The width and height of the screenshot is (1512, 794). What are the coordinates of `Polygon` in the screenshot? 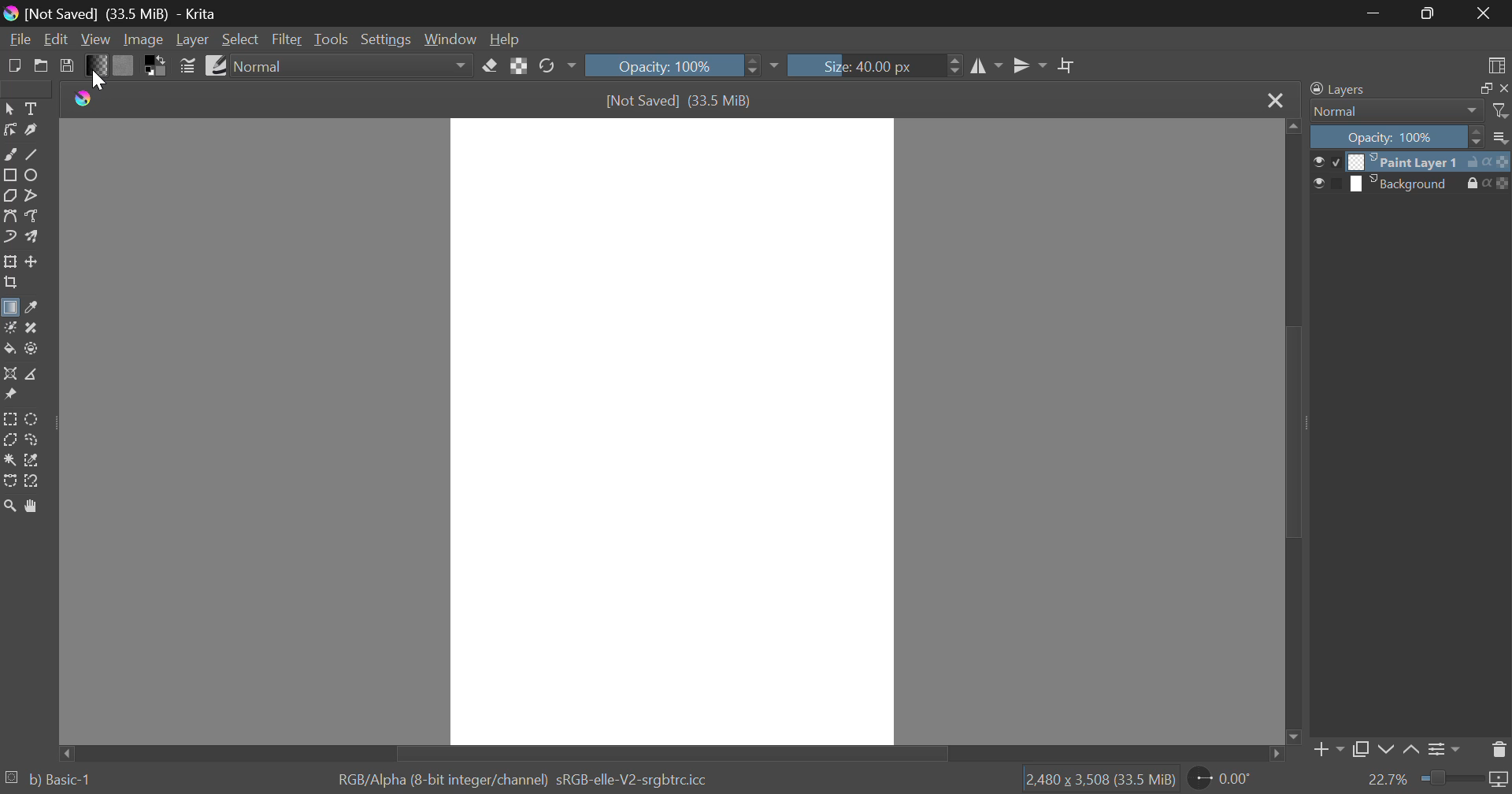 It's located at (9, 195).